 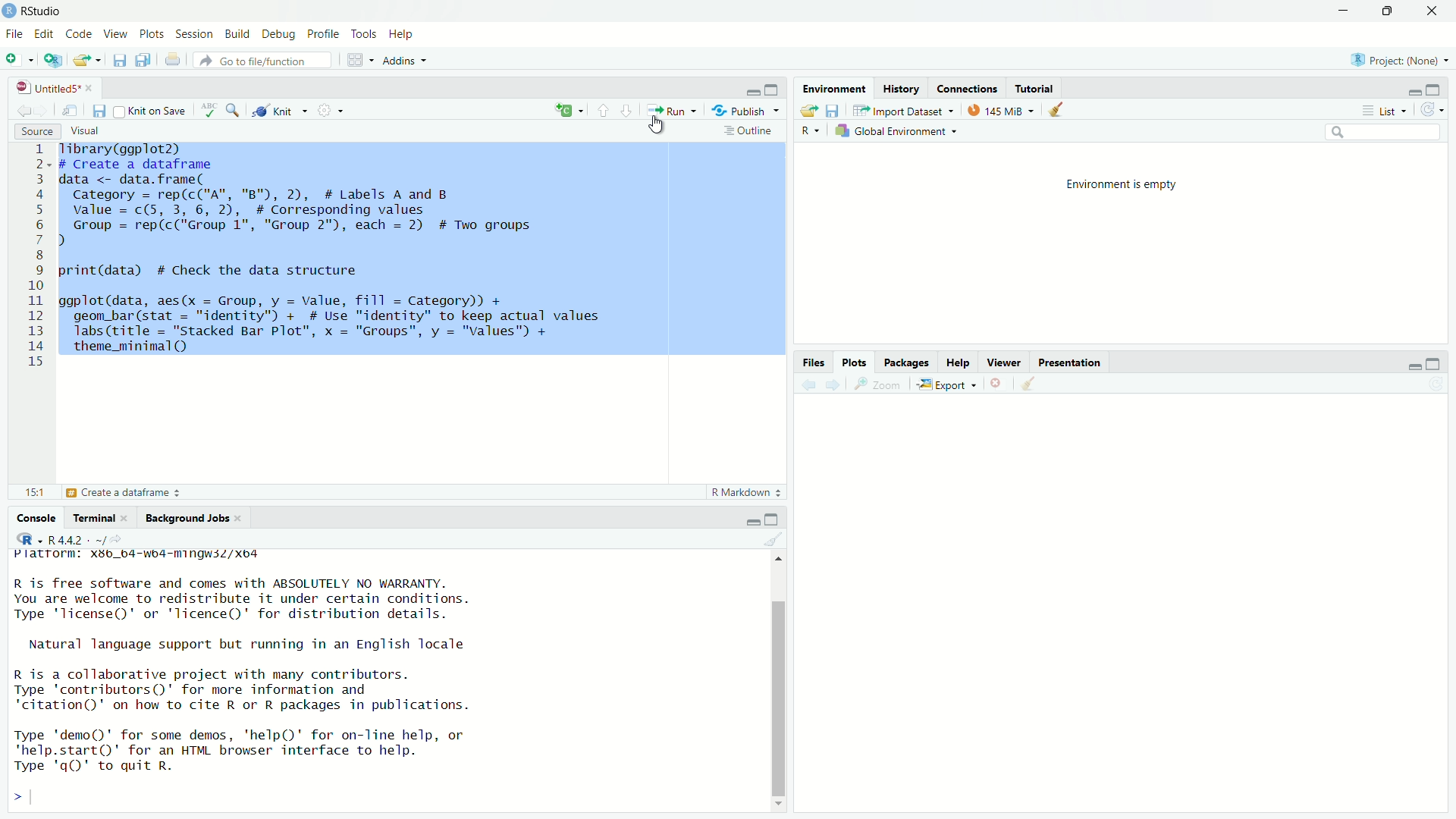 I want to click on 15:1, so click(x=35, y=491).